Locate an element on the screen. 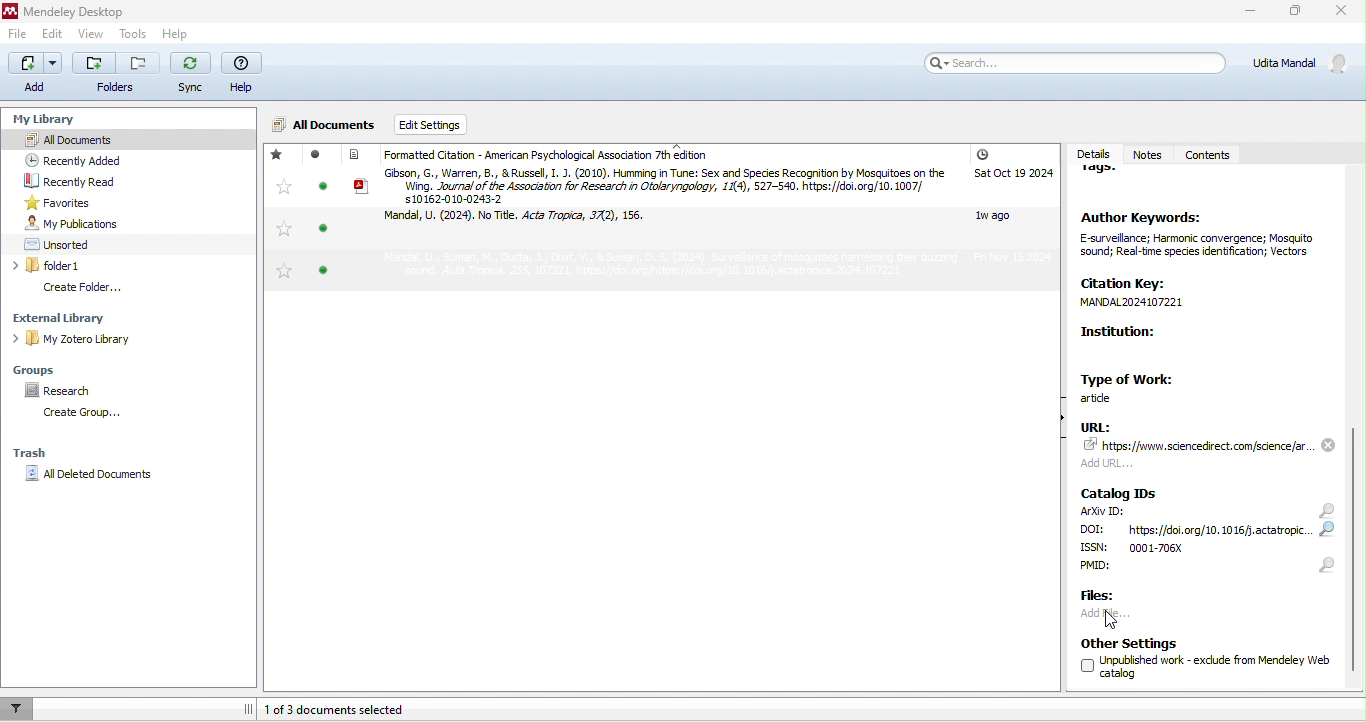 This screenshot has height=722, width=1366. slider moved is located at coordinates (1357, 548).